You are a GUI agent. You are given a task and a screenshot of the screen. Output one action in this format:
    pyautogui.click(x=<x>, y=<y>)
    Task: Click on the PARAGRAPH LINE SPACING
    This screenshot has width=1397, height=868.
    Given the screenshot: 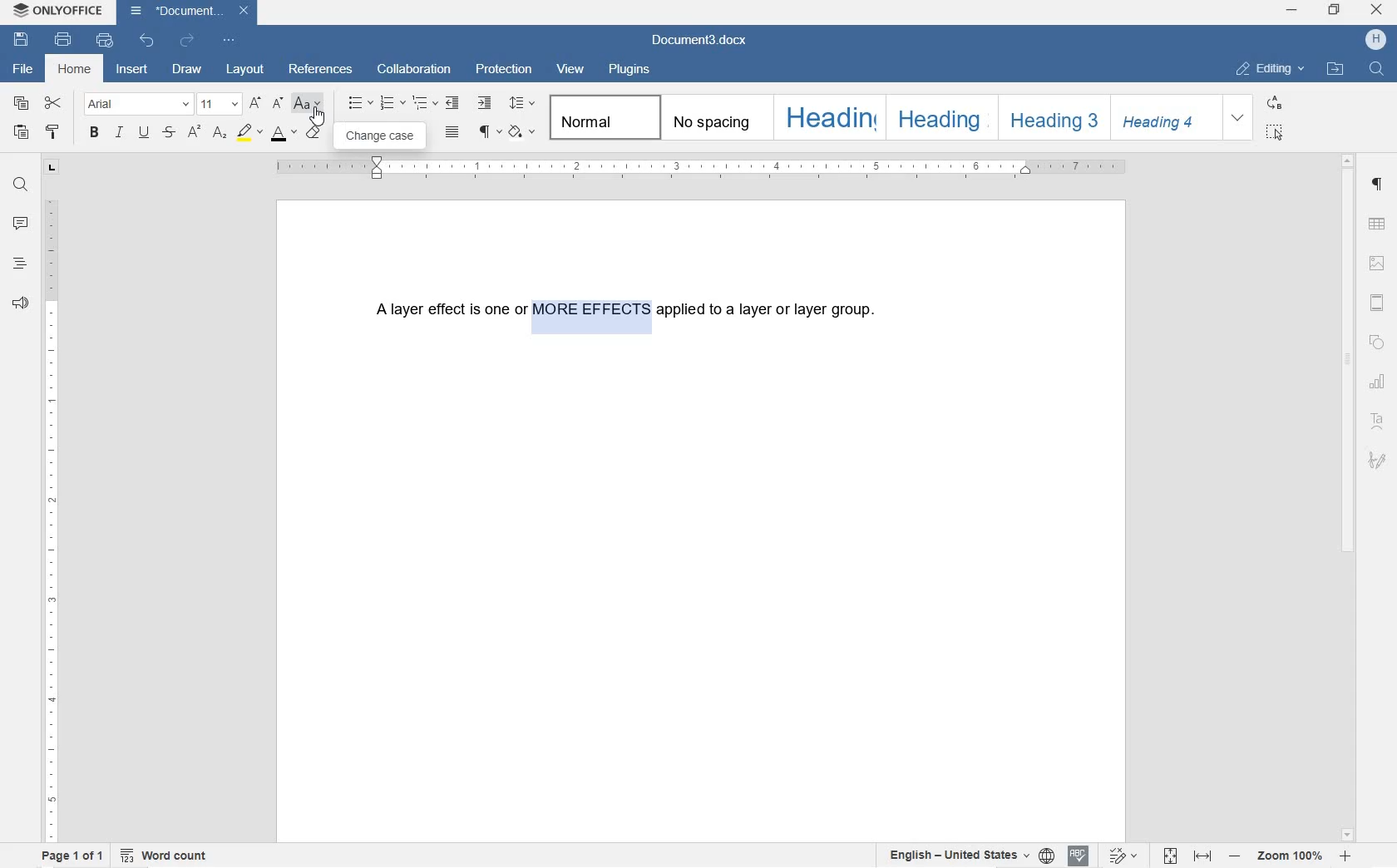 What is the action you would take?
    pyautogui.click(x=525, y=104)
    